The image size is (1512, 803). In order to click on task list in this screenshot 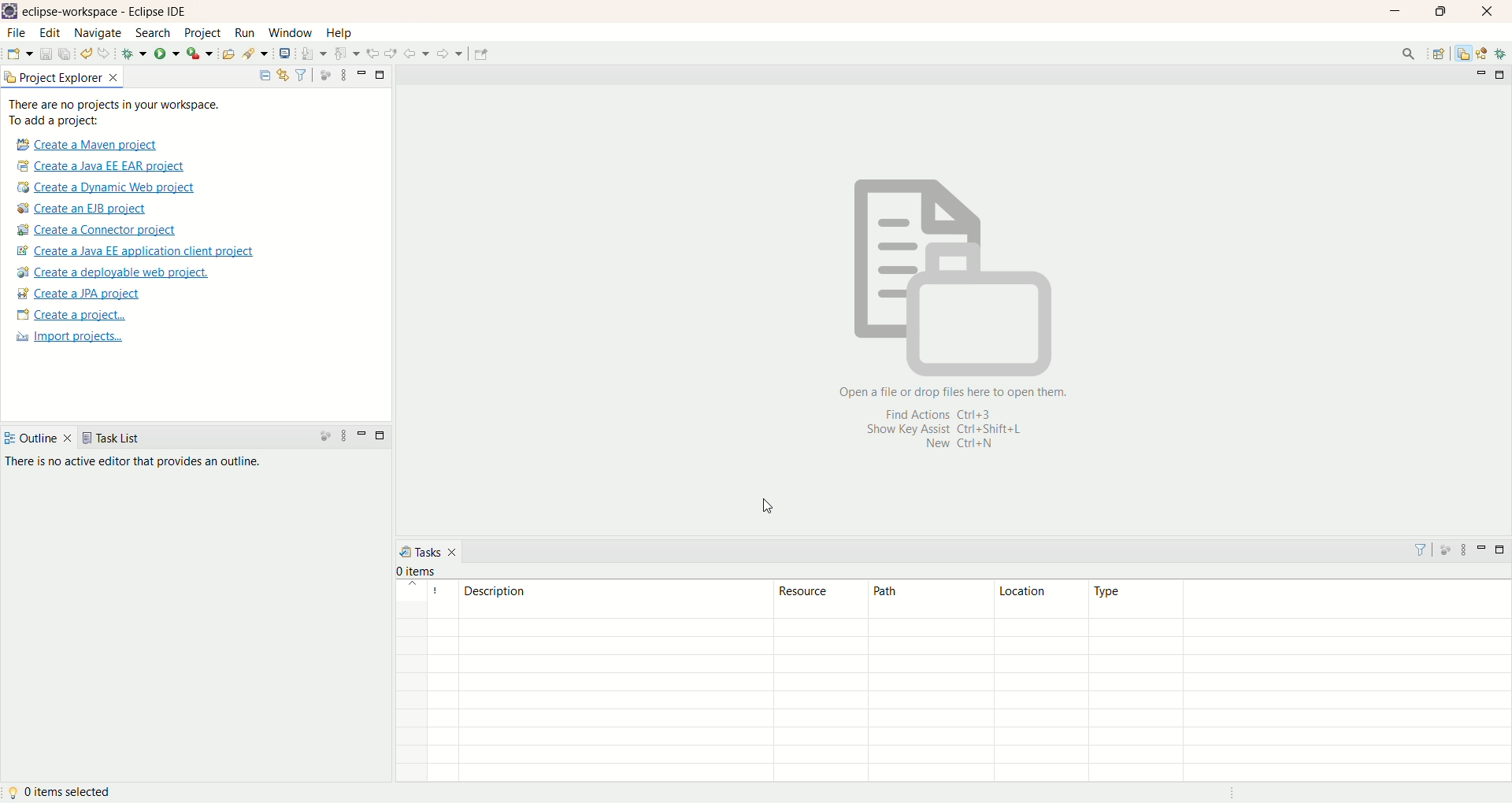, I will do `click(113, 439)`.